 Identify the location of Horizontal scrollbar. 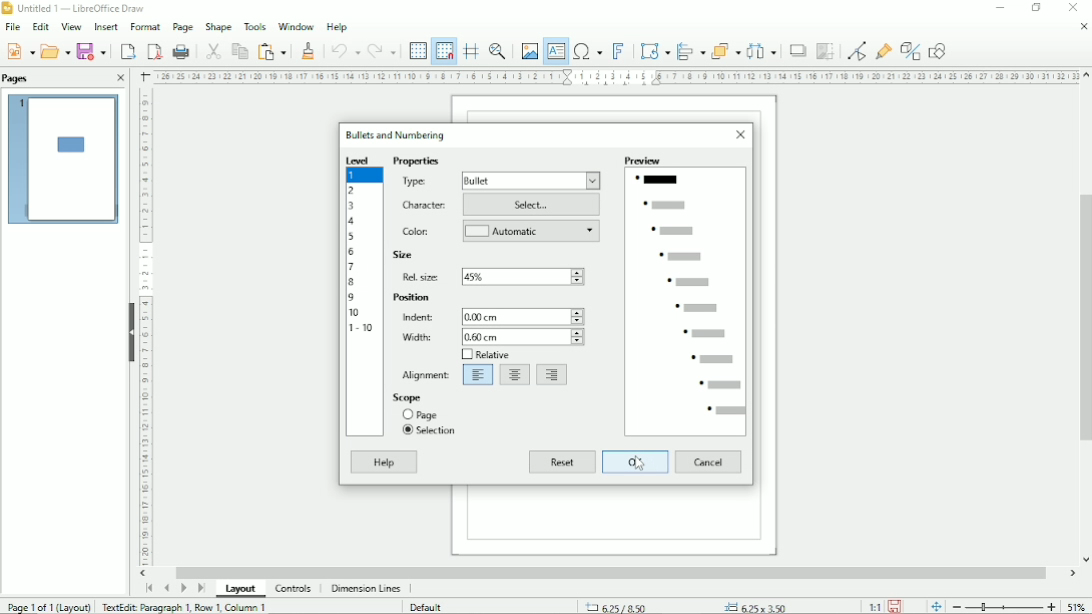
(612, 571).